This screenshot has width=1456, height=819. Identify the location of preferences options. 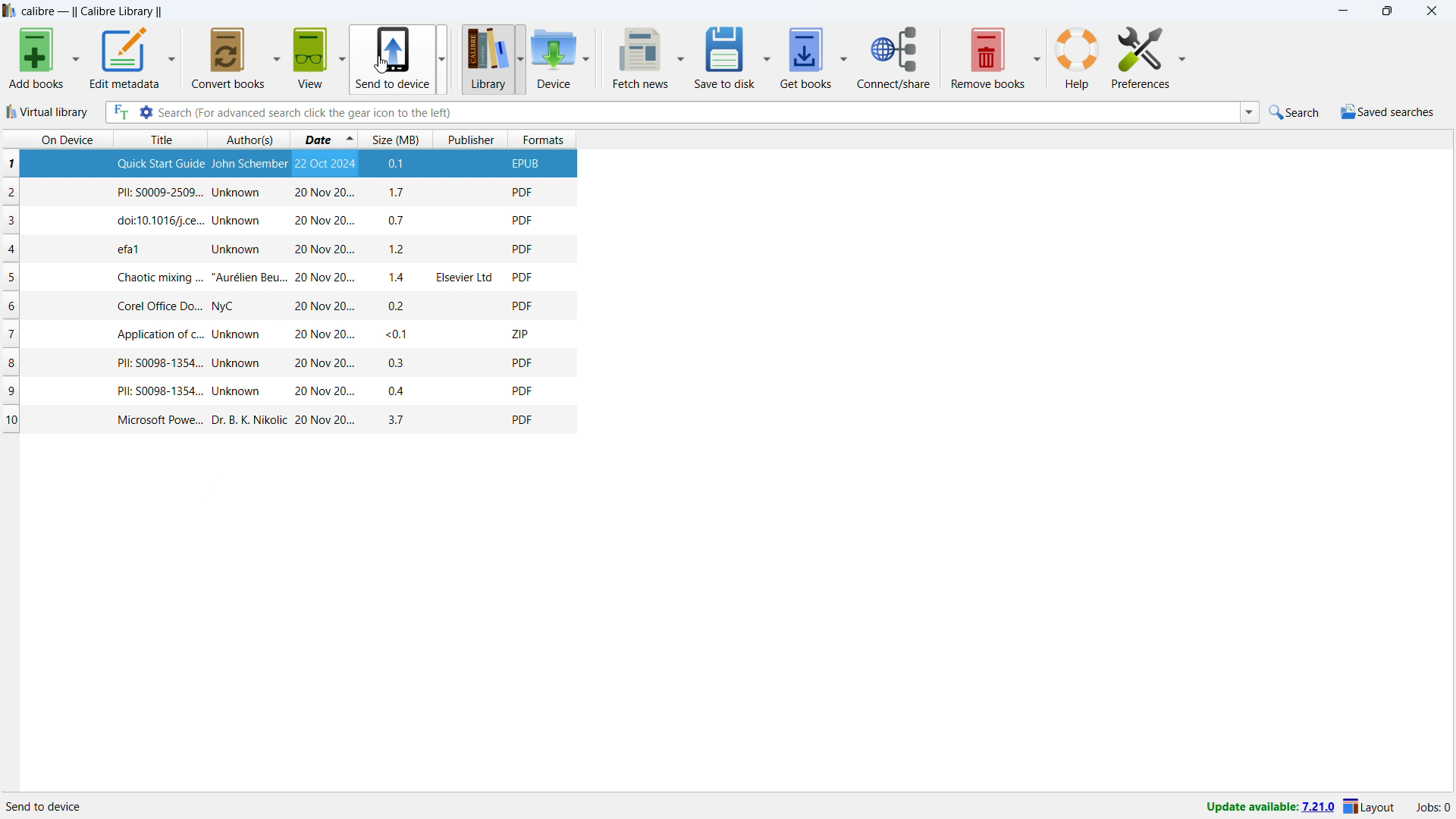
(1181, 57).